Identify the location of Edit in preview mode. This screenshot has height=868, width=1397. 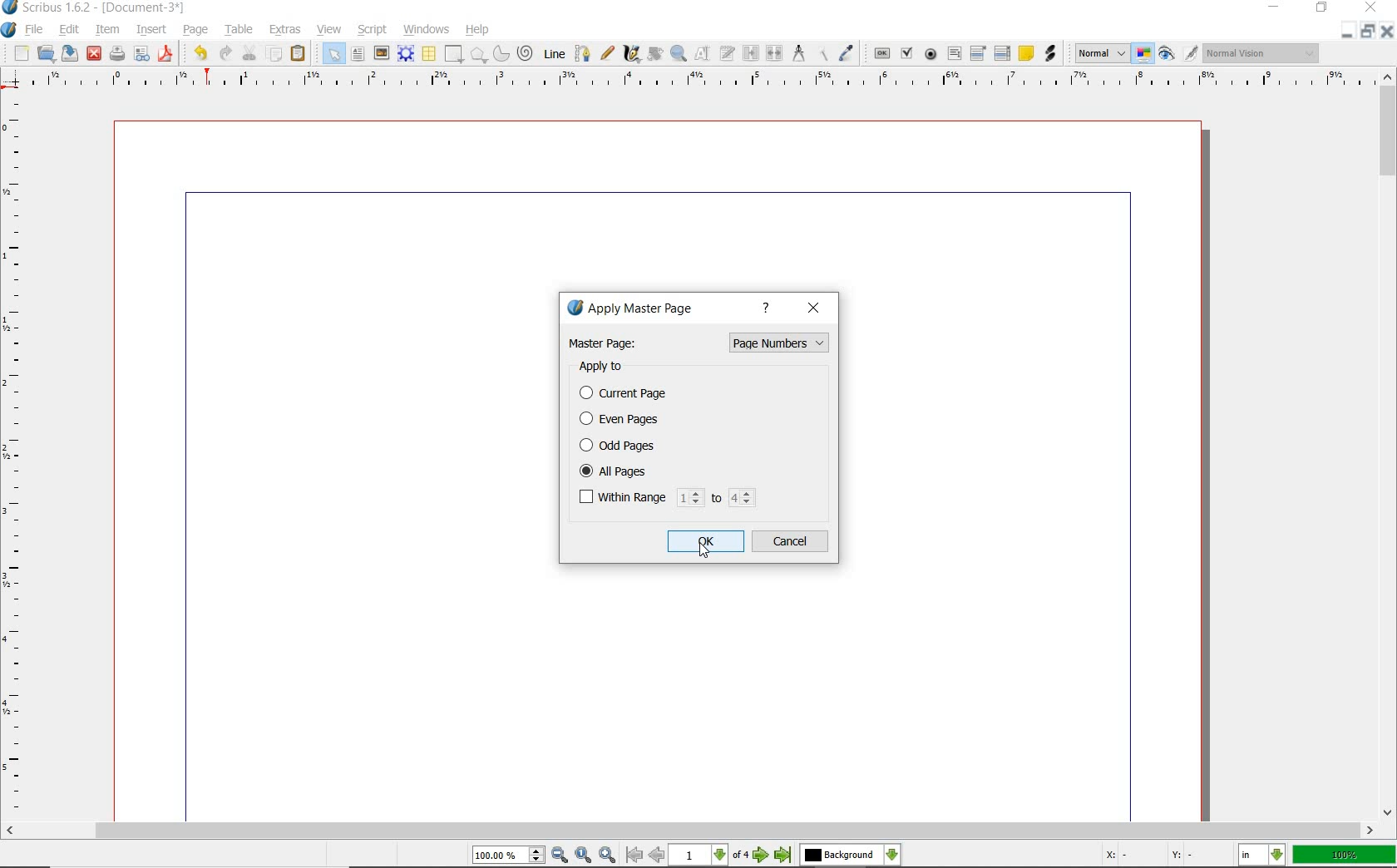
(1191, 54).